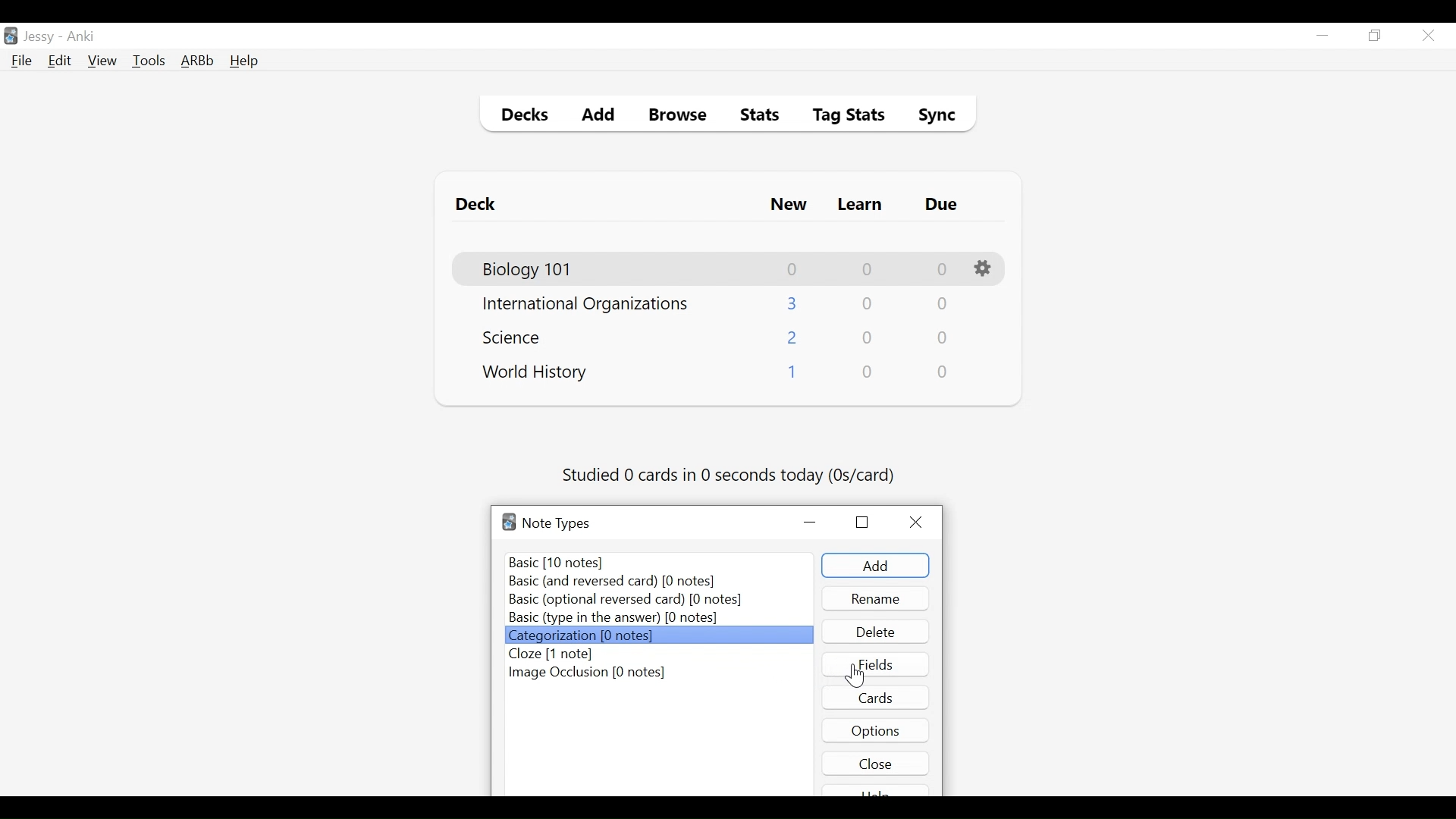  I want to click on Close, so click(876, 763).